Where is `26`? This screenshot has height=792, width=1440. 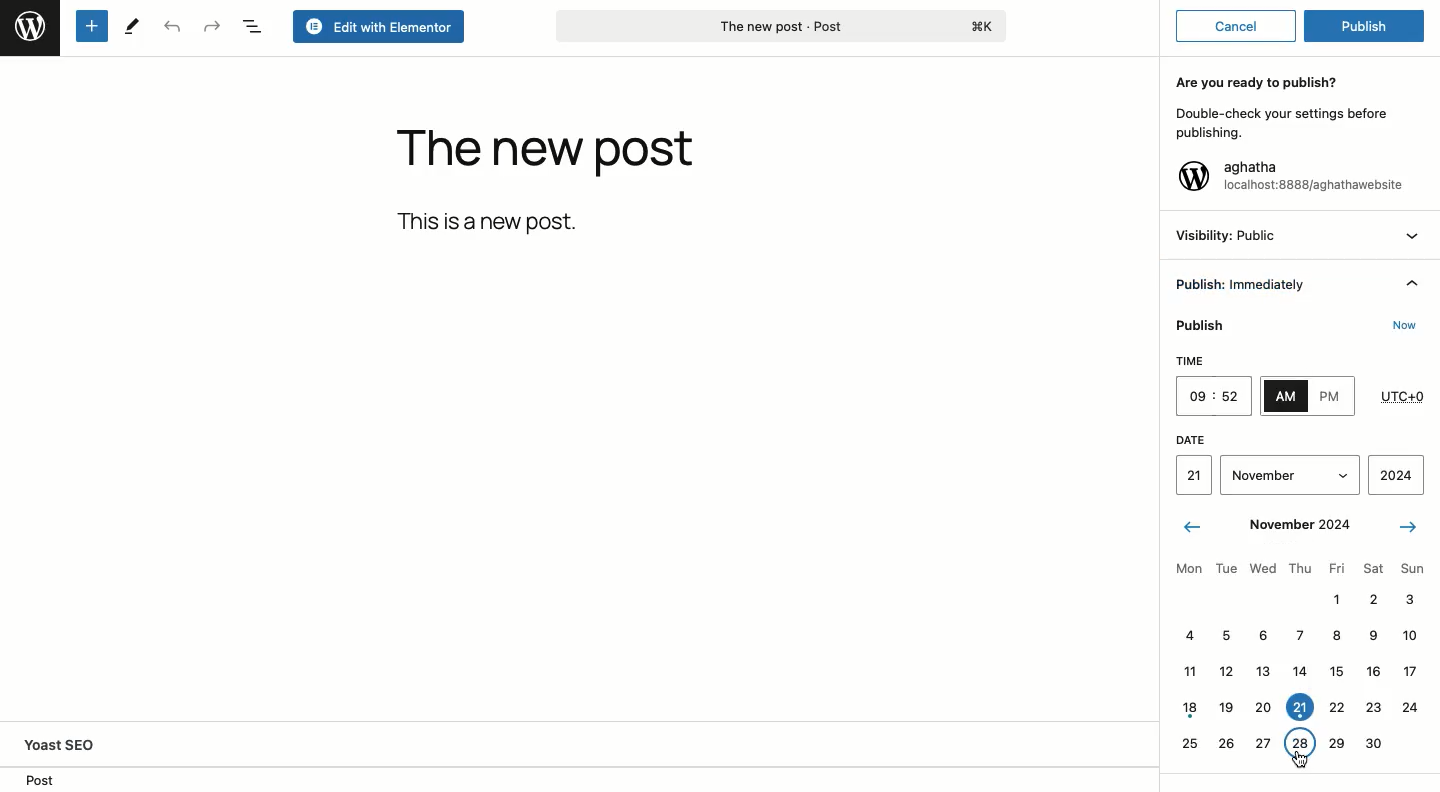
26 is located at coordinates (1228, 744).